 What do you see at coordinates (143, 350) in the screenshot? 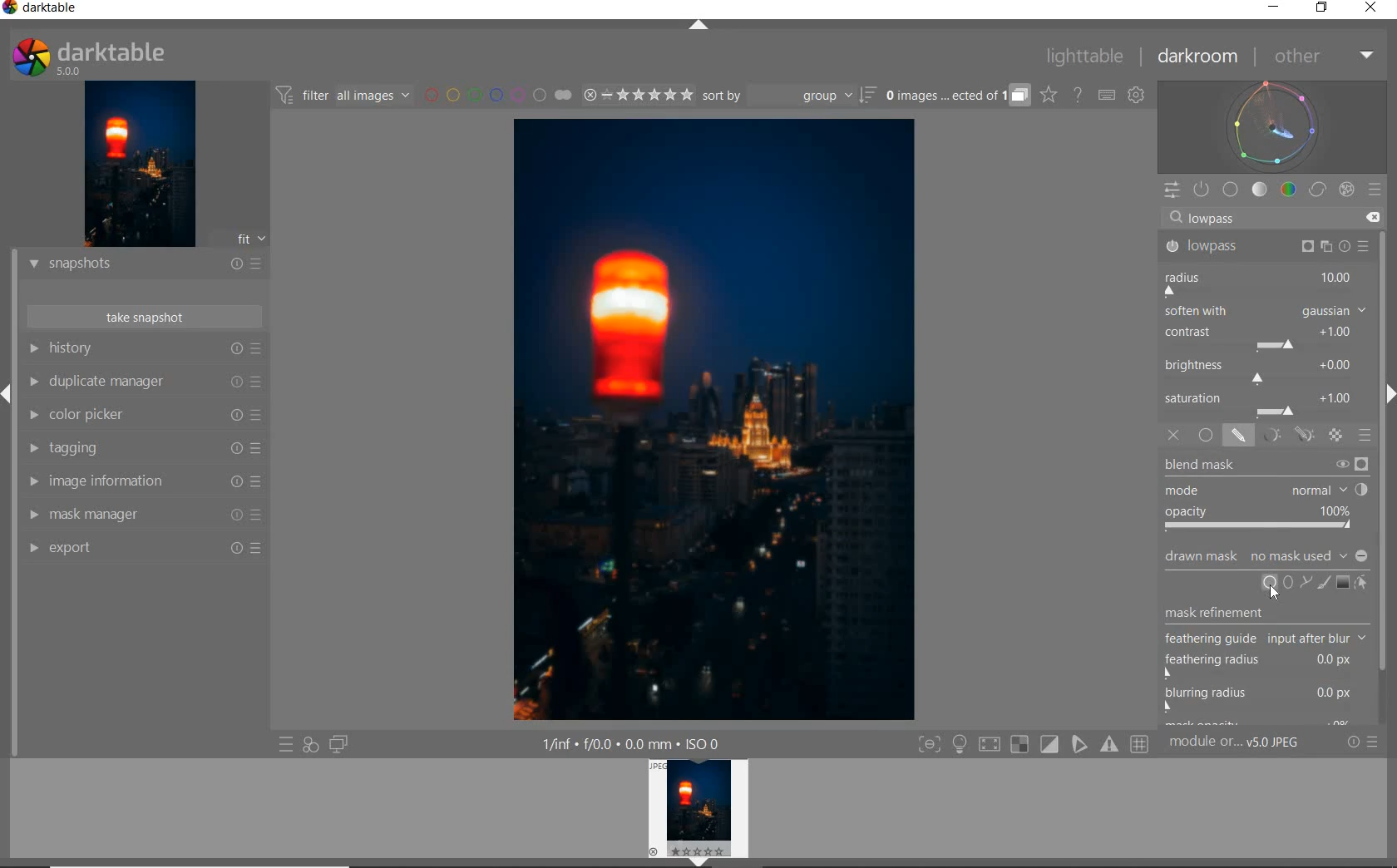
I see `HISTORY` at bounding box center [143, 350].